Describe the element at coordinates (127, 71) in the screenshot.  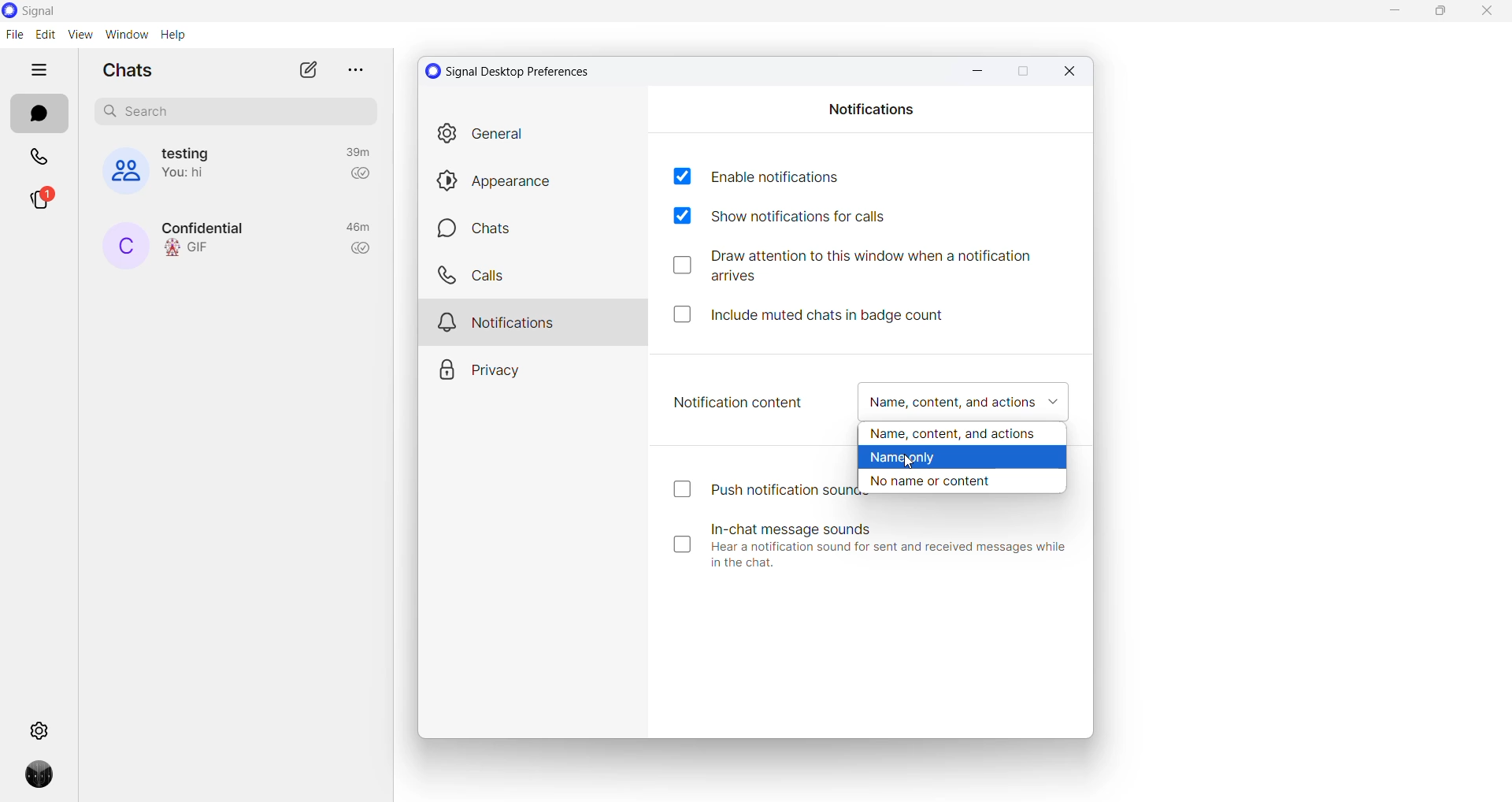
I see `chats heading` at that location.